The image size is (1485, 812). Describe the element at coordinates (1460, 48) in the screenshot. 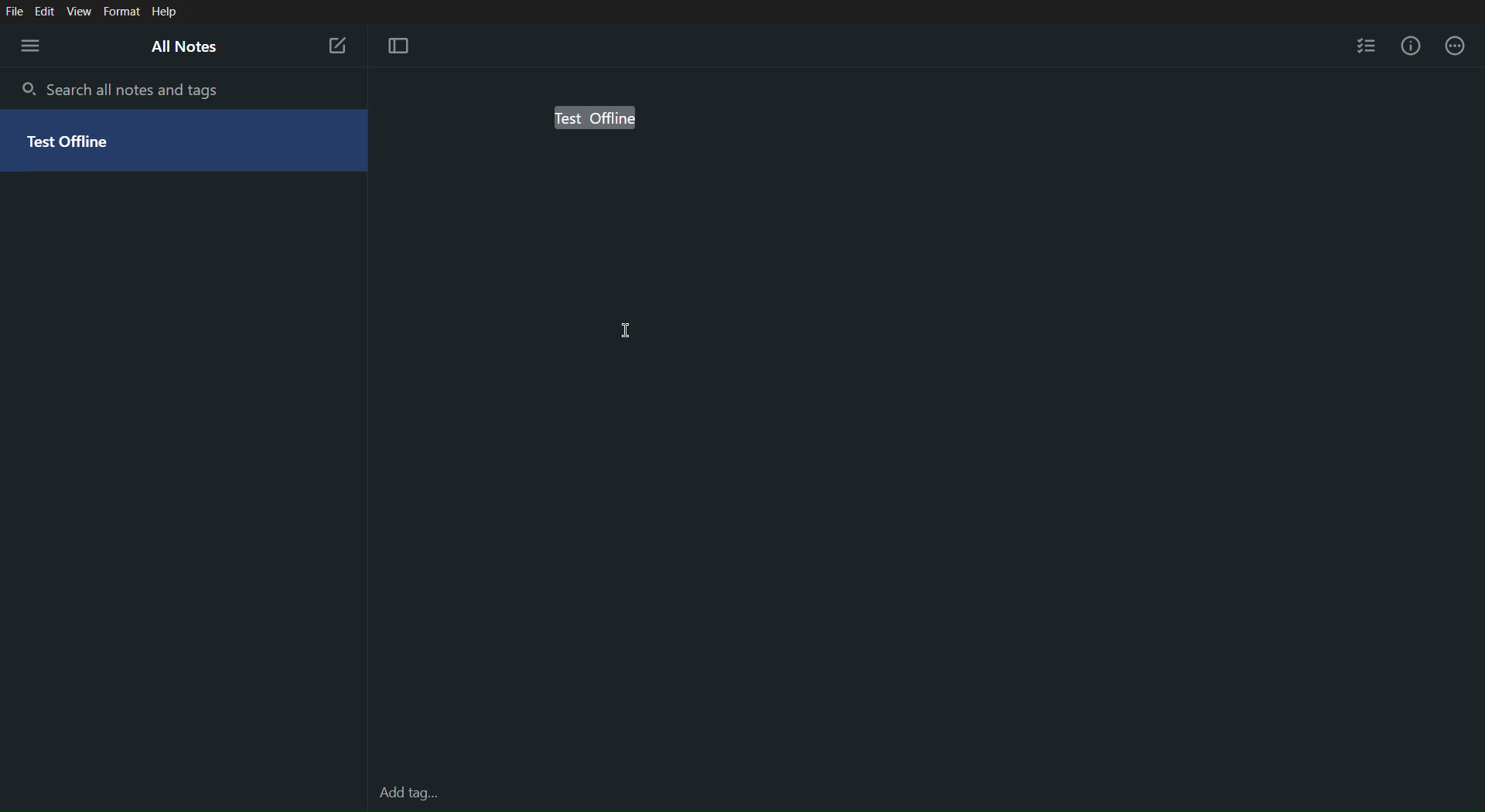

I see `More` at that location.